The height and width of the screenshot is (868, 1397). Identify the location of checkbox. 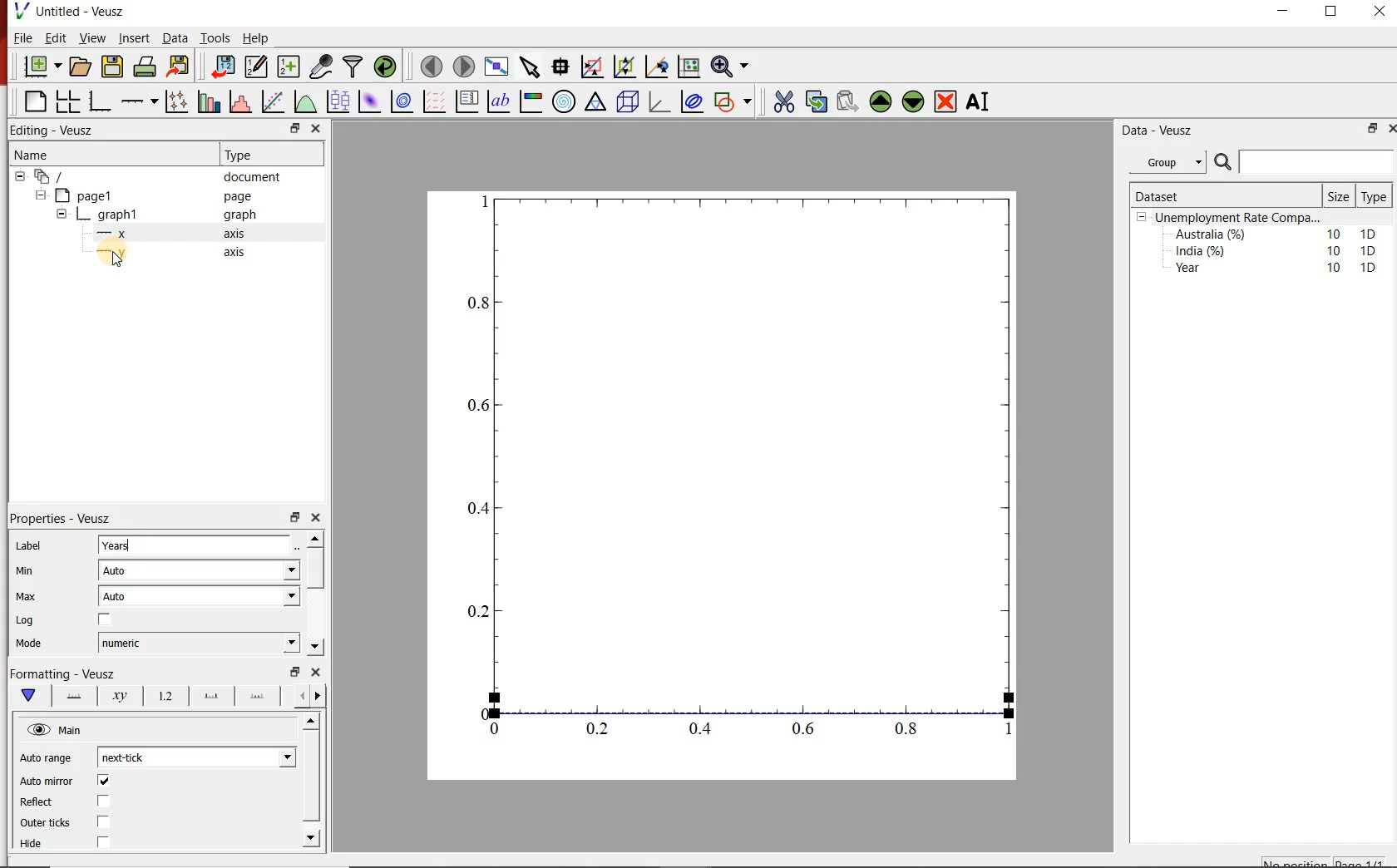
(103, 842).